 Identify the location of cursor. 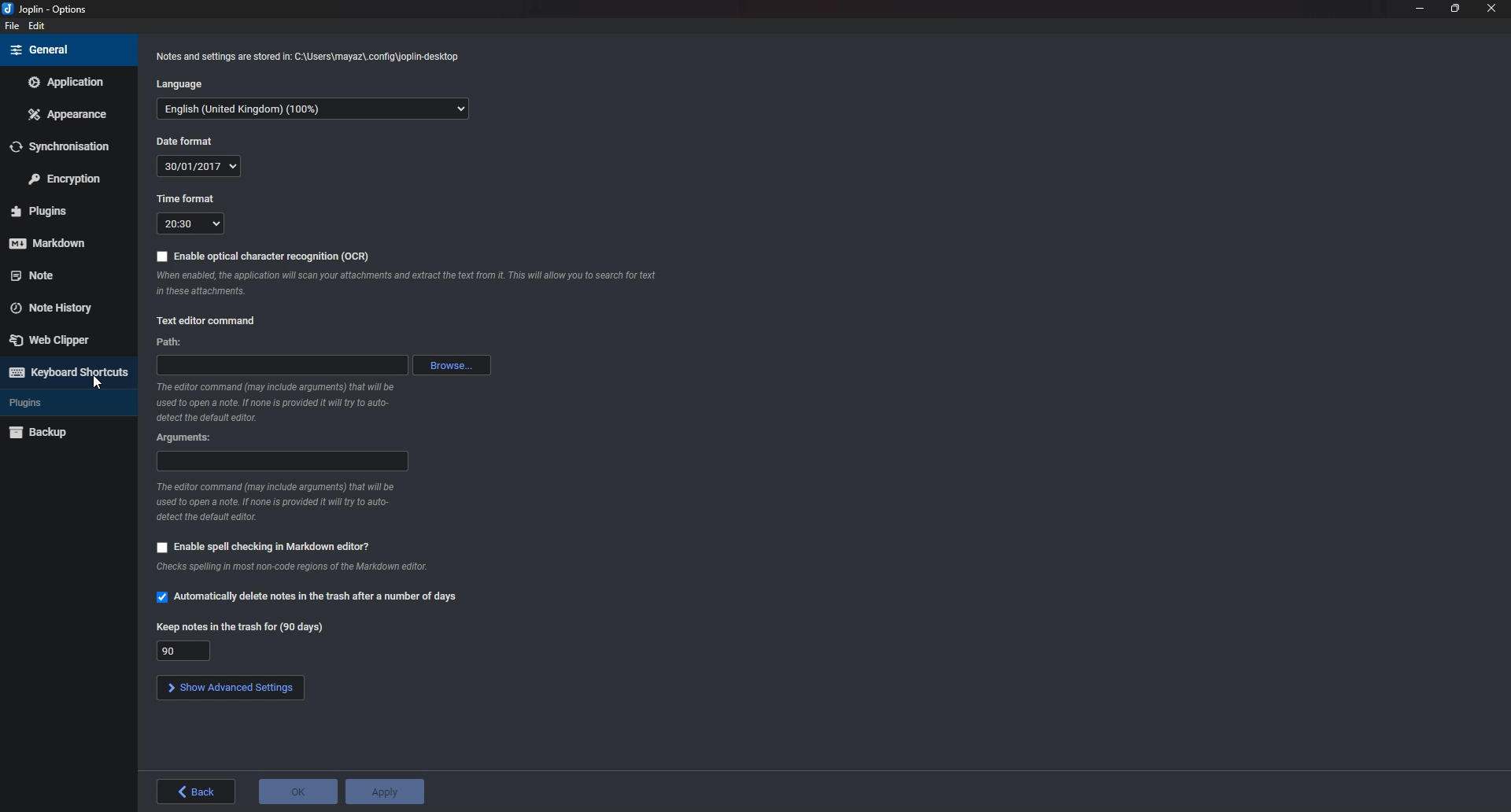
(98, 386).